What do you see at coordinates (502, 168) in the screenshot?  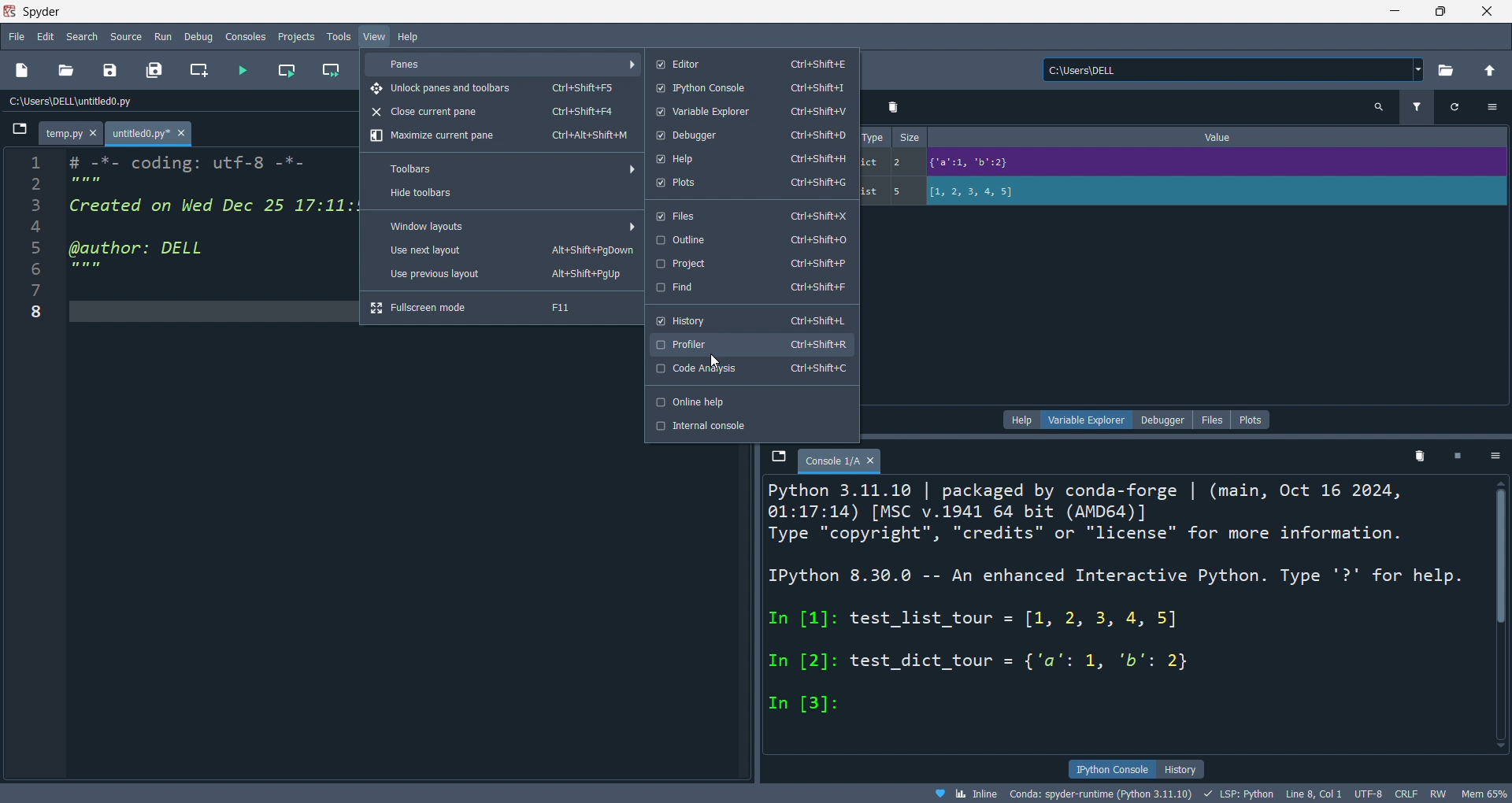 I see `toolbars` at bounding box center [502, 168].